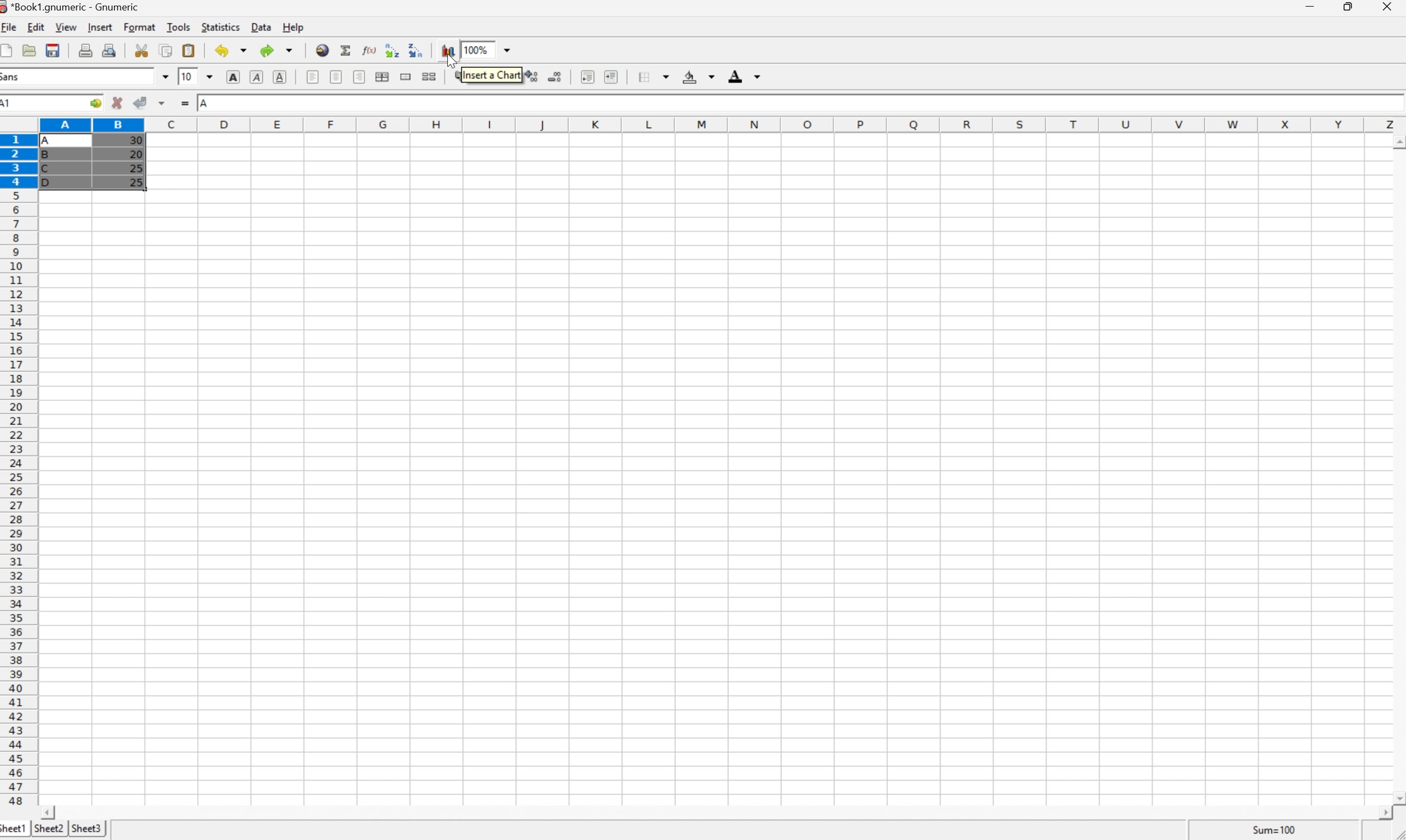  What do you see at coordinates (50, 812) in the screenshot?
I see `Scroll Left` at bounding box center [50, 812].